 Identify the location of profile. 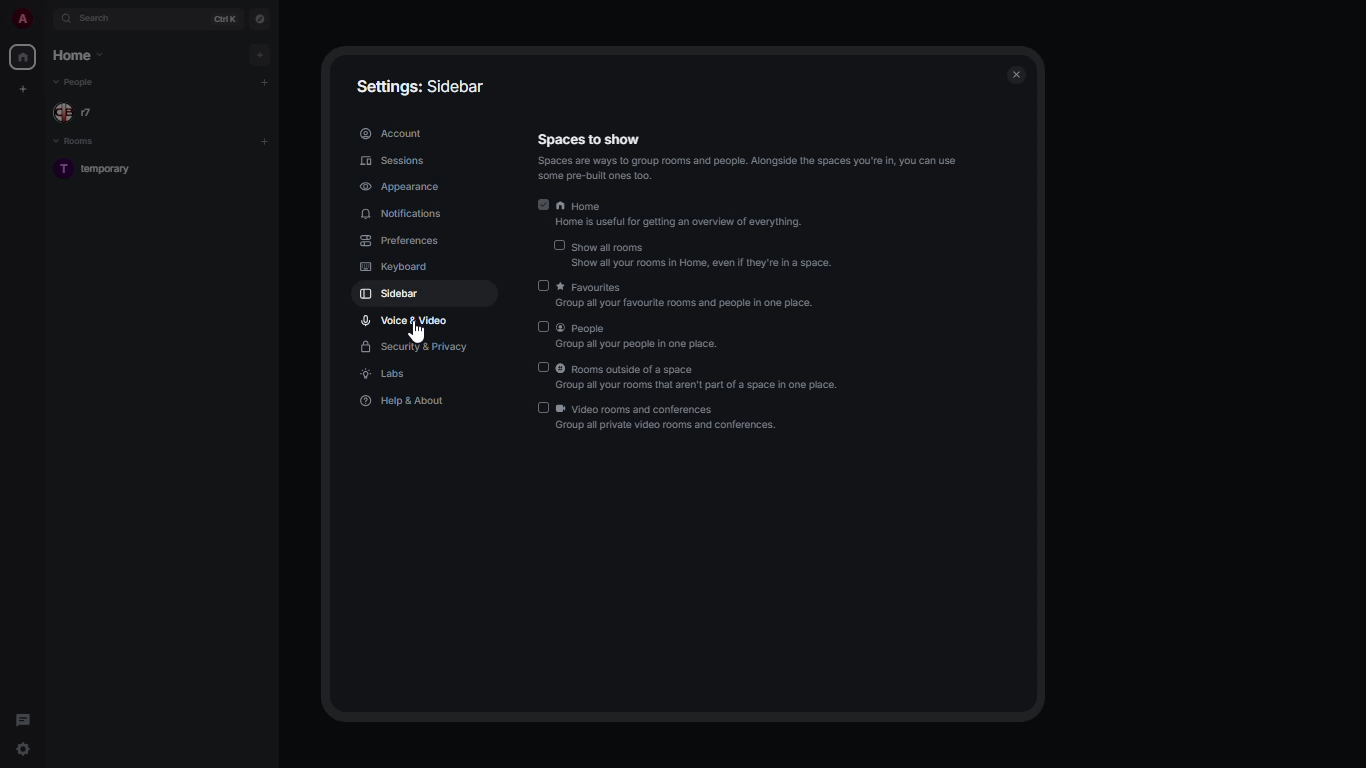
(21, 18).